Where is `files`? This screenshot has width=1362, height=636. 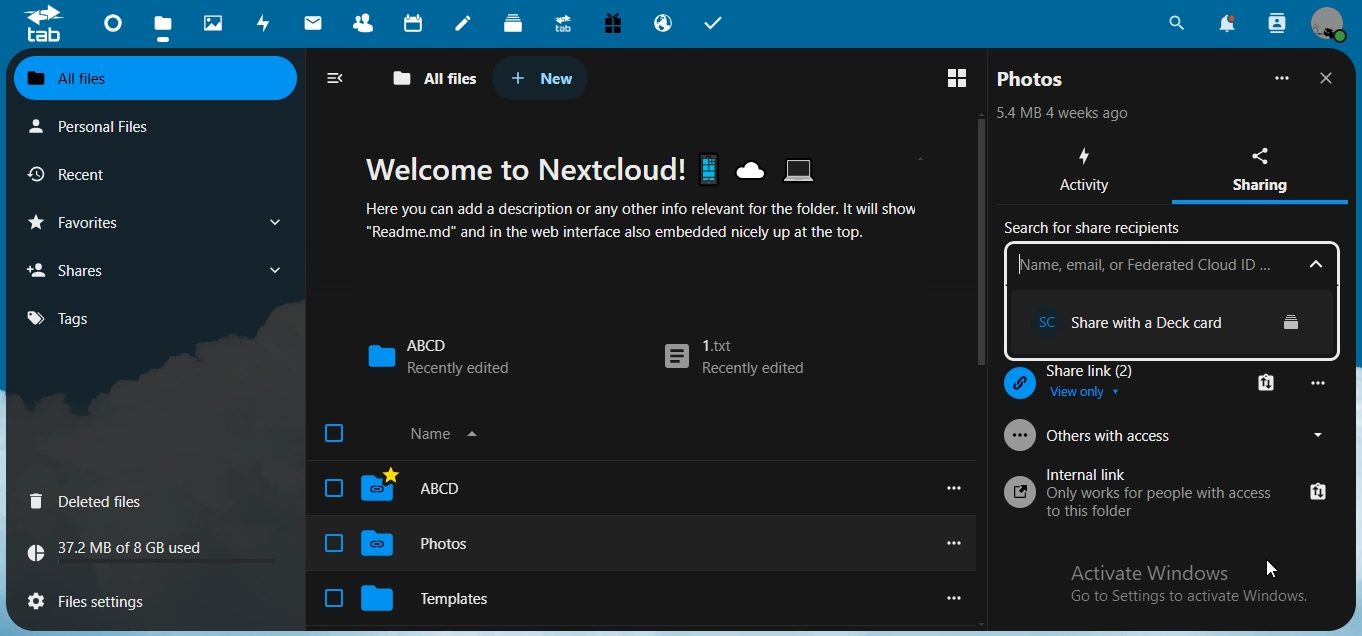 files is located at coordinates (99, 598).